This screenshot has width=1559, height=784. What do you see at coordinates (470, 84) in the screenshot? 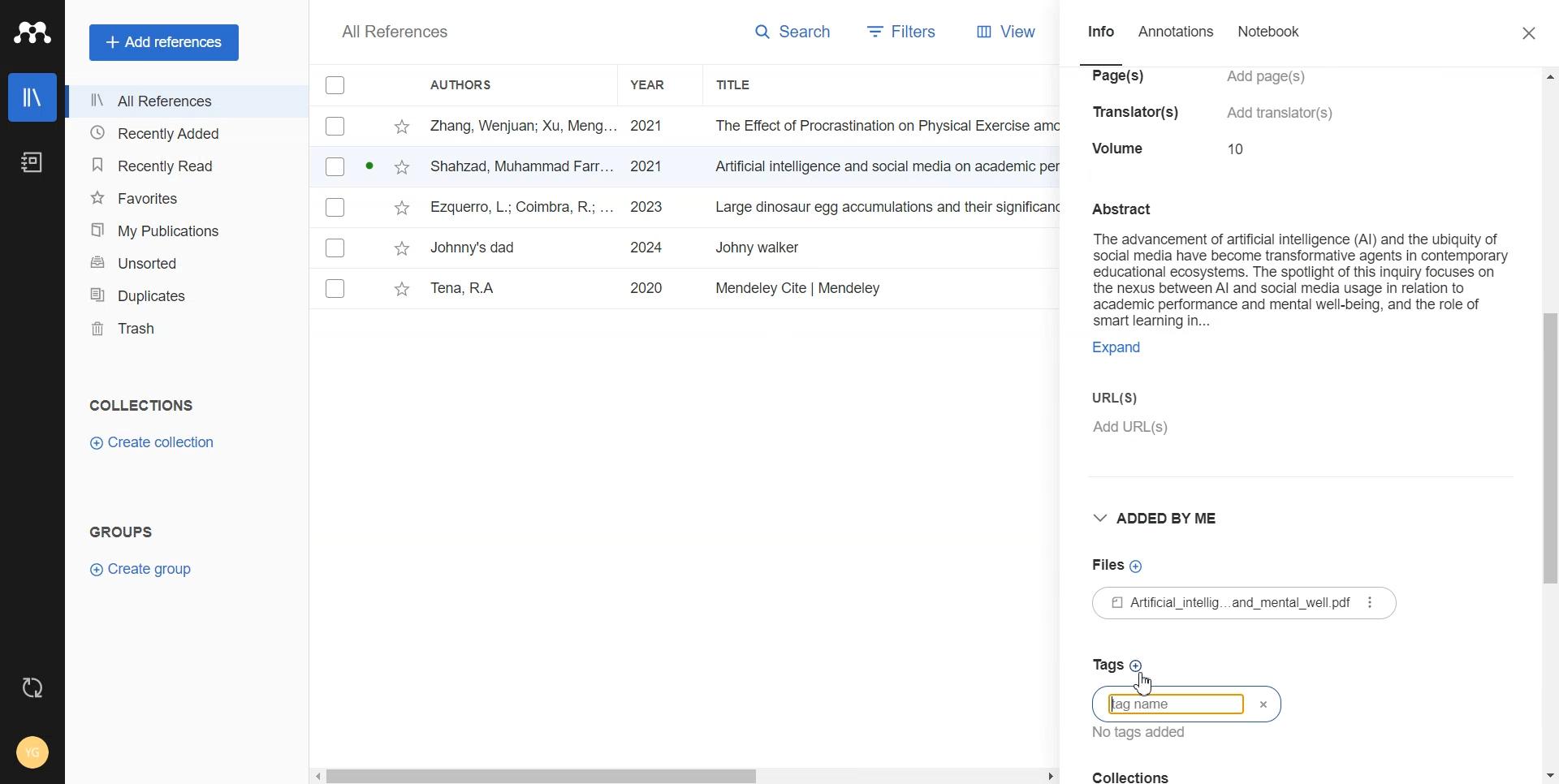
I see `Authors` at bounding box center [470, 84].